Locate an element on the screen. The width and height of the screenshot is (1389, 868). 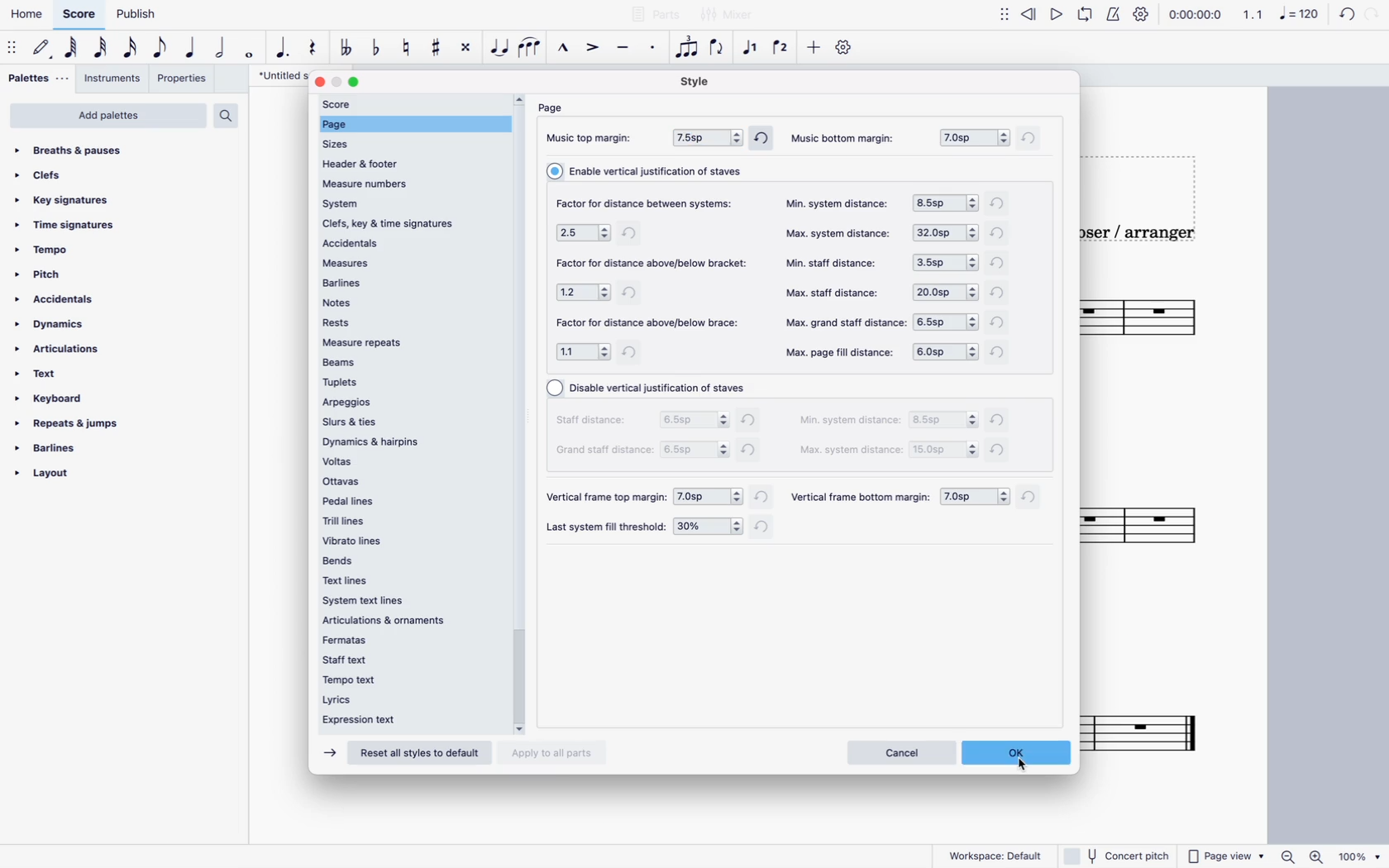
selected page is located at coordinates (414, 124).